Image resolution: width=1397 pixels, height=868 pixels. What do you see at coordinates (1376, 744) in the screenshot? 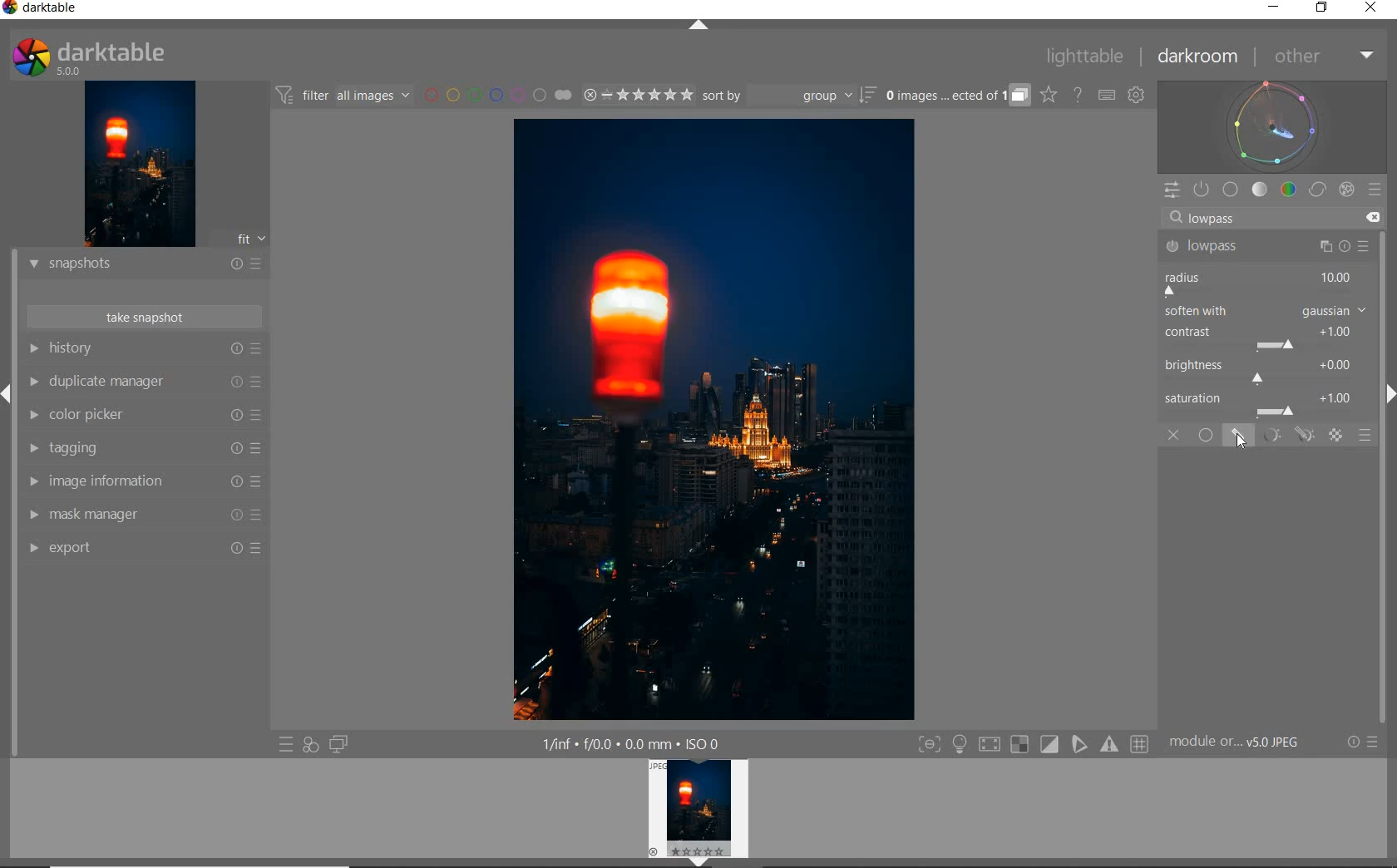
I see `Preset and reset` at bounding box center [1376, 744].